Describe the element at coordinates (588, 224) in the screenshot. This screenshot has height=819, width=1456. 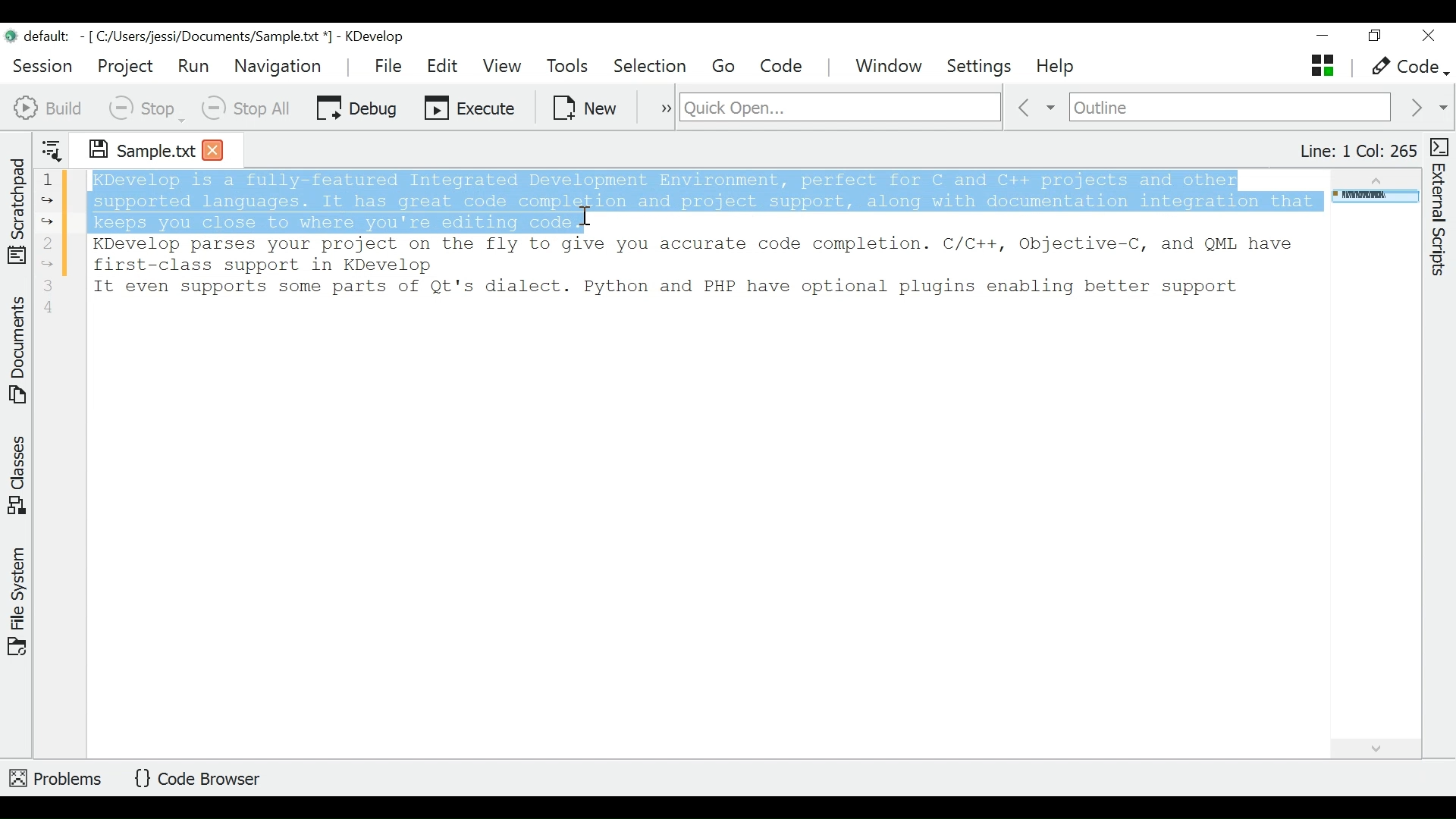
I see `I-beam cursor` at that location.